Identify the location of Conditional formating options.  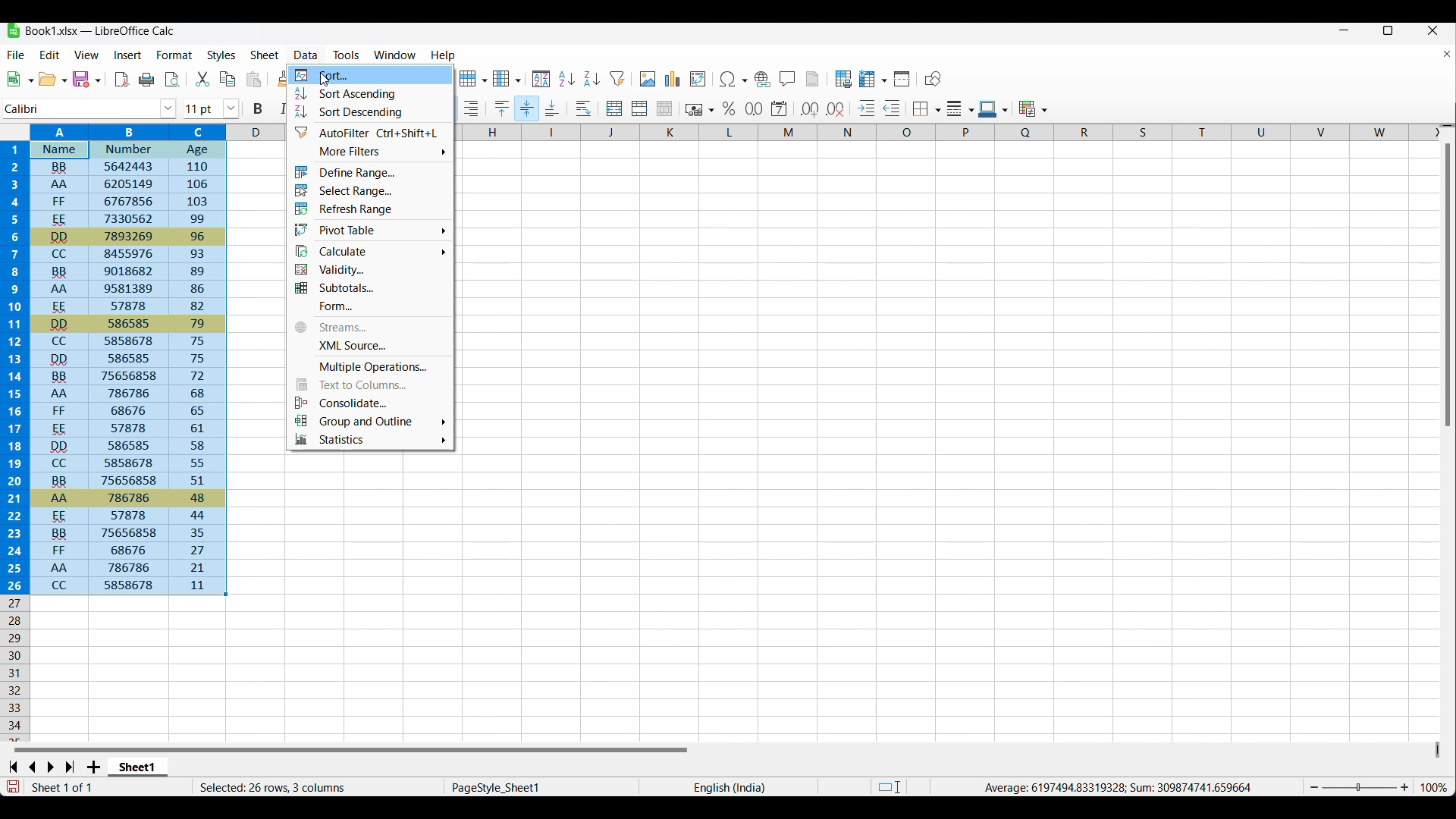
(1033, 108).